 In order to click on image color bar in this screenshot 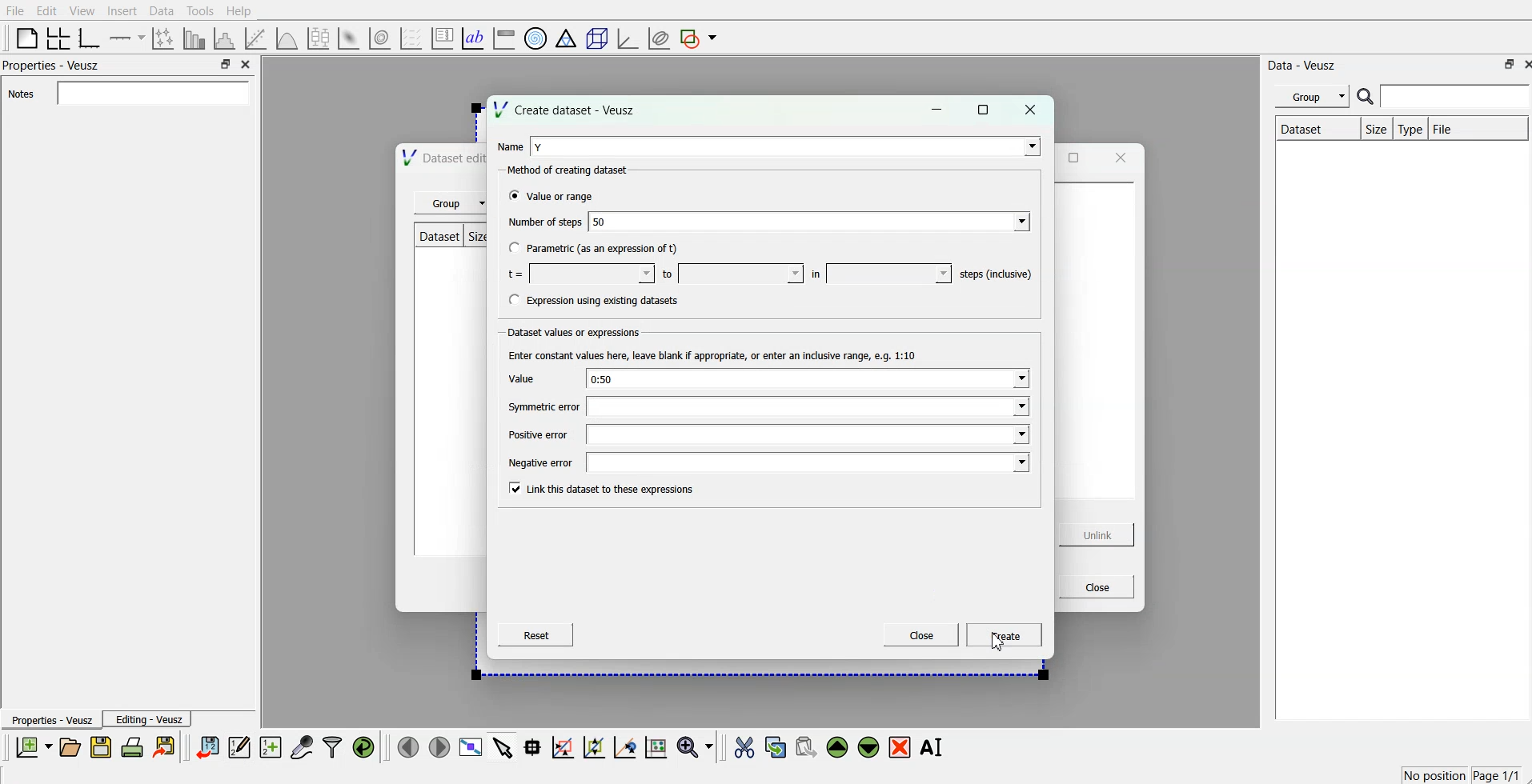, I will do `click(503, 37)`.